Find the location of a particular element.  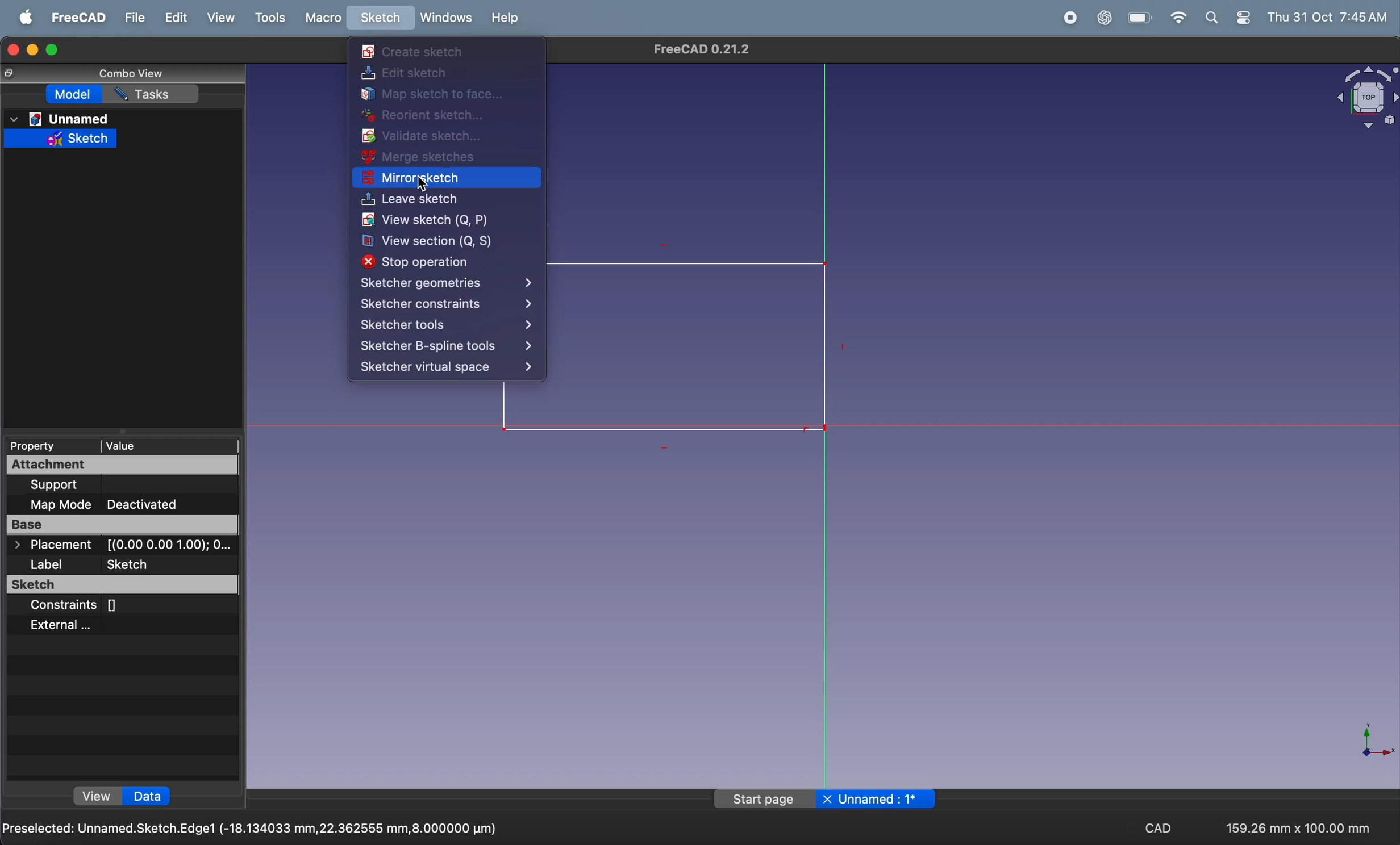

property is located at coordinates (47, 444).